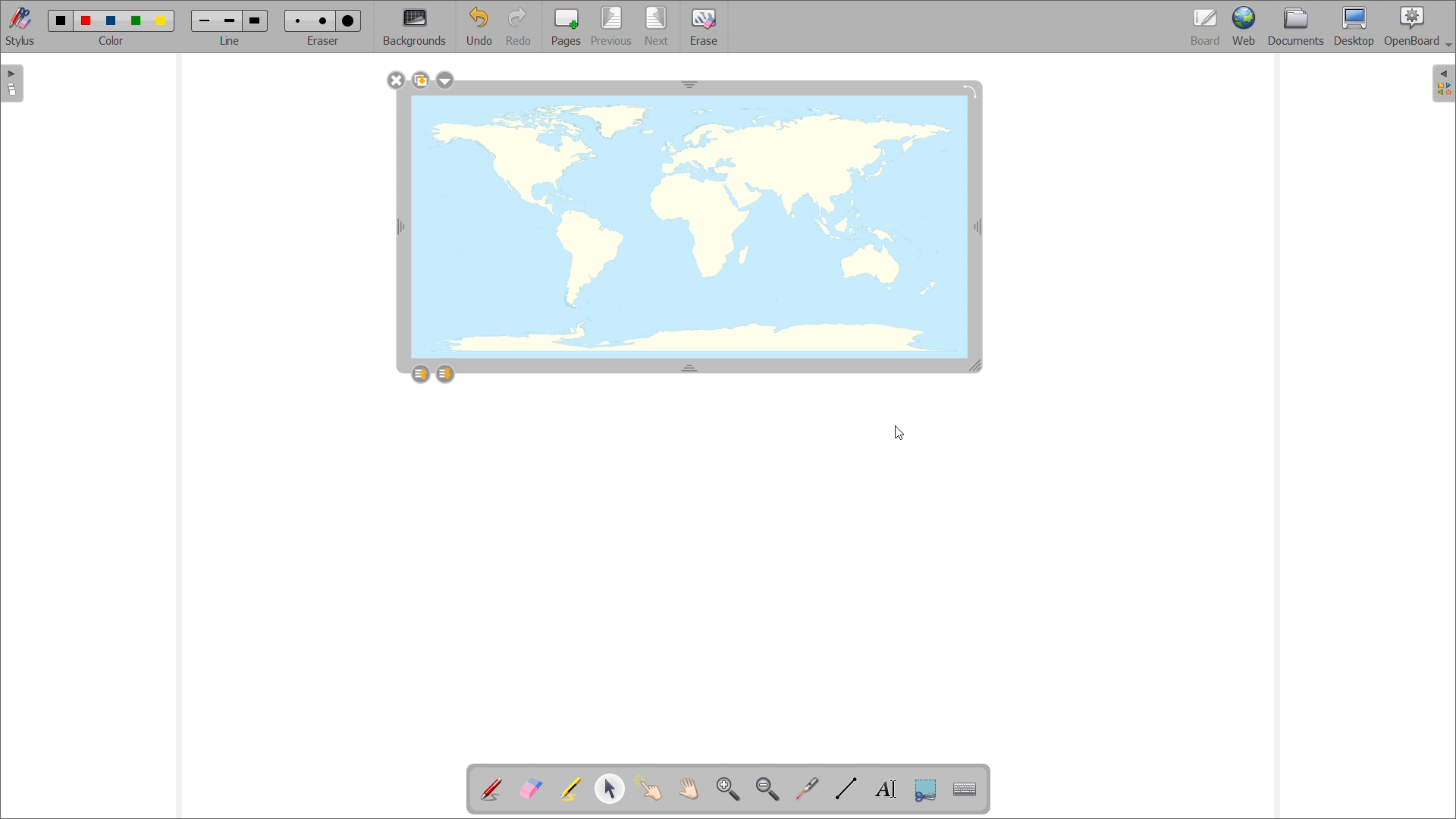 The height and width of the screenshot is (819, 1456). I want to click on desktop, so click(1354, 27).